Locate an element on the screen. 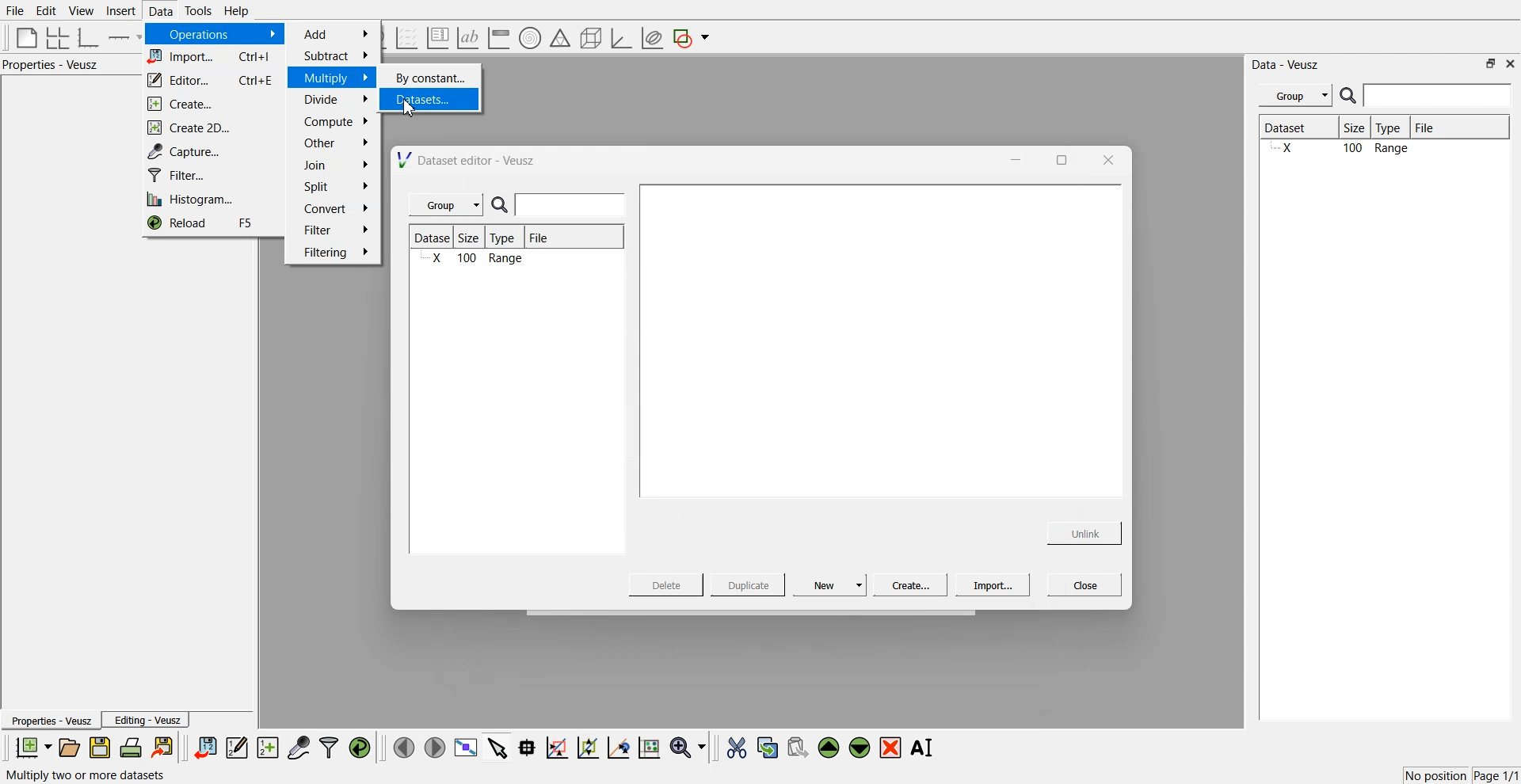 The height and width of the screenshot is (784, 1521). Other is located at coordinates (336, 143).